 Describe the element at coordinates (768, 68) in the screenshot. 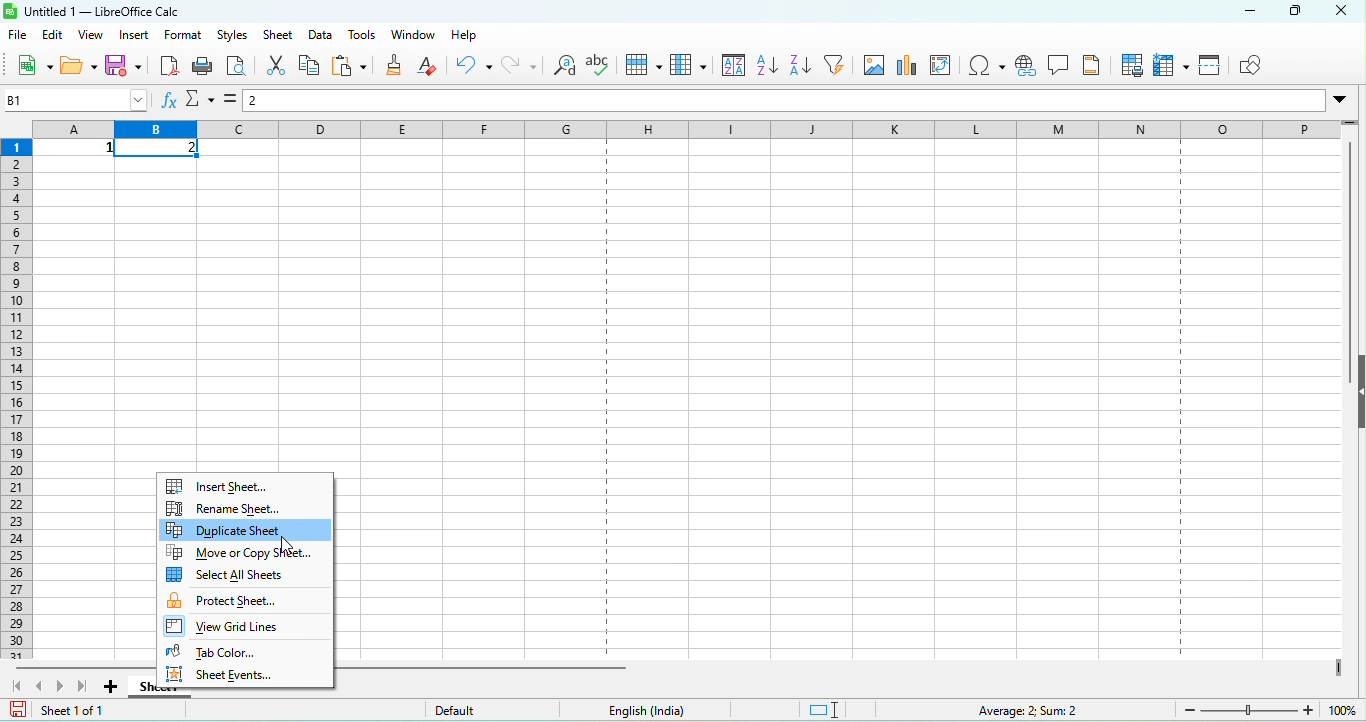

I see `sort ascending` at that location.